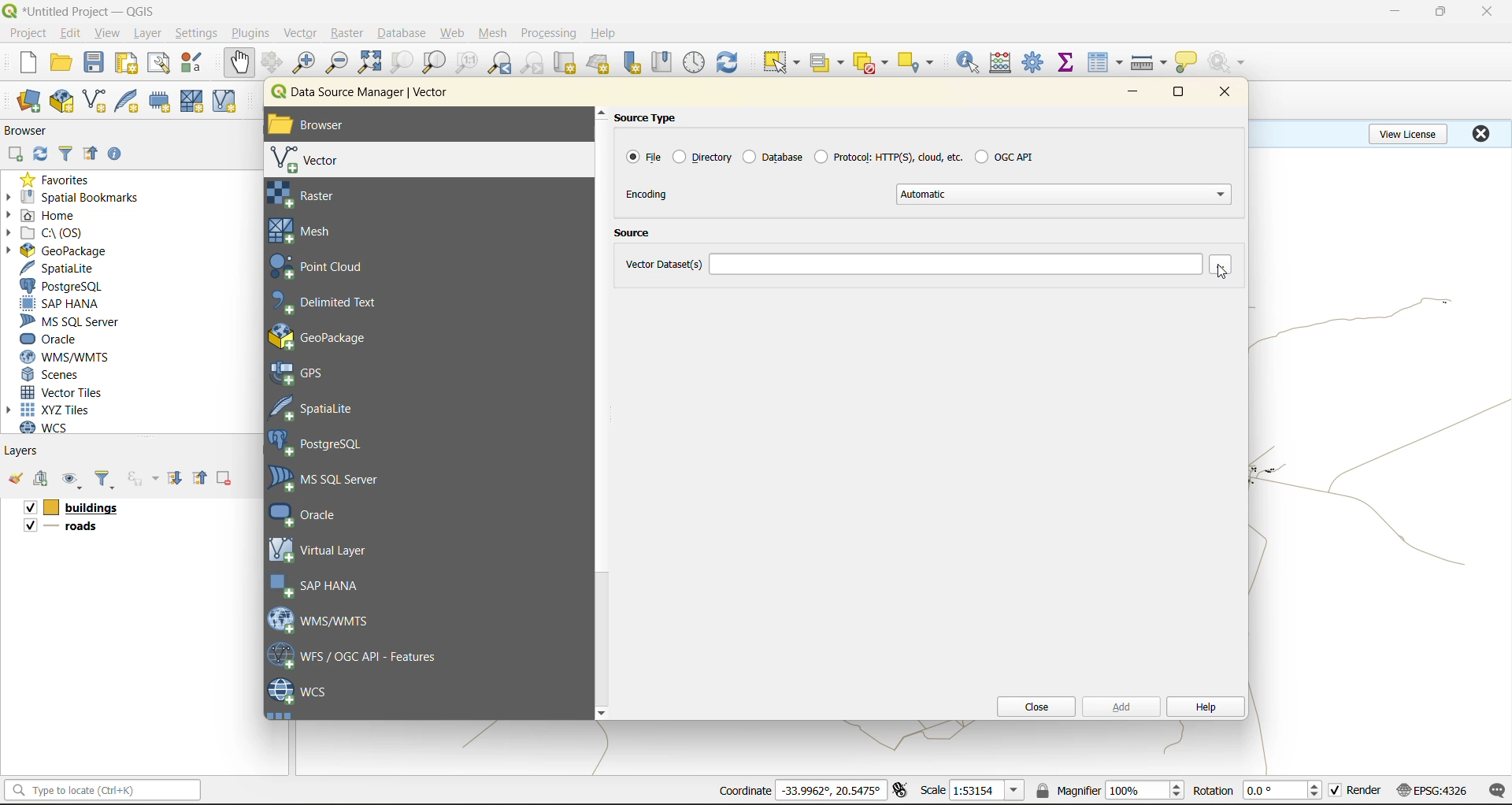  Describe the element at coordinates (307, 63) in the screenshot. I see `zoom in` at that location.